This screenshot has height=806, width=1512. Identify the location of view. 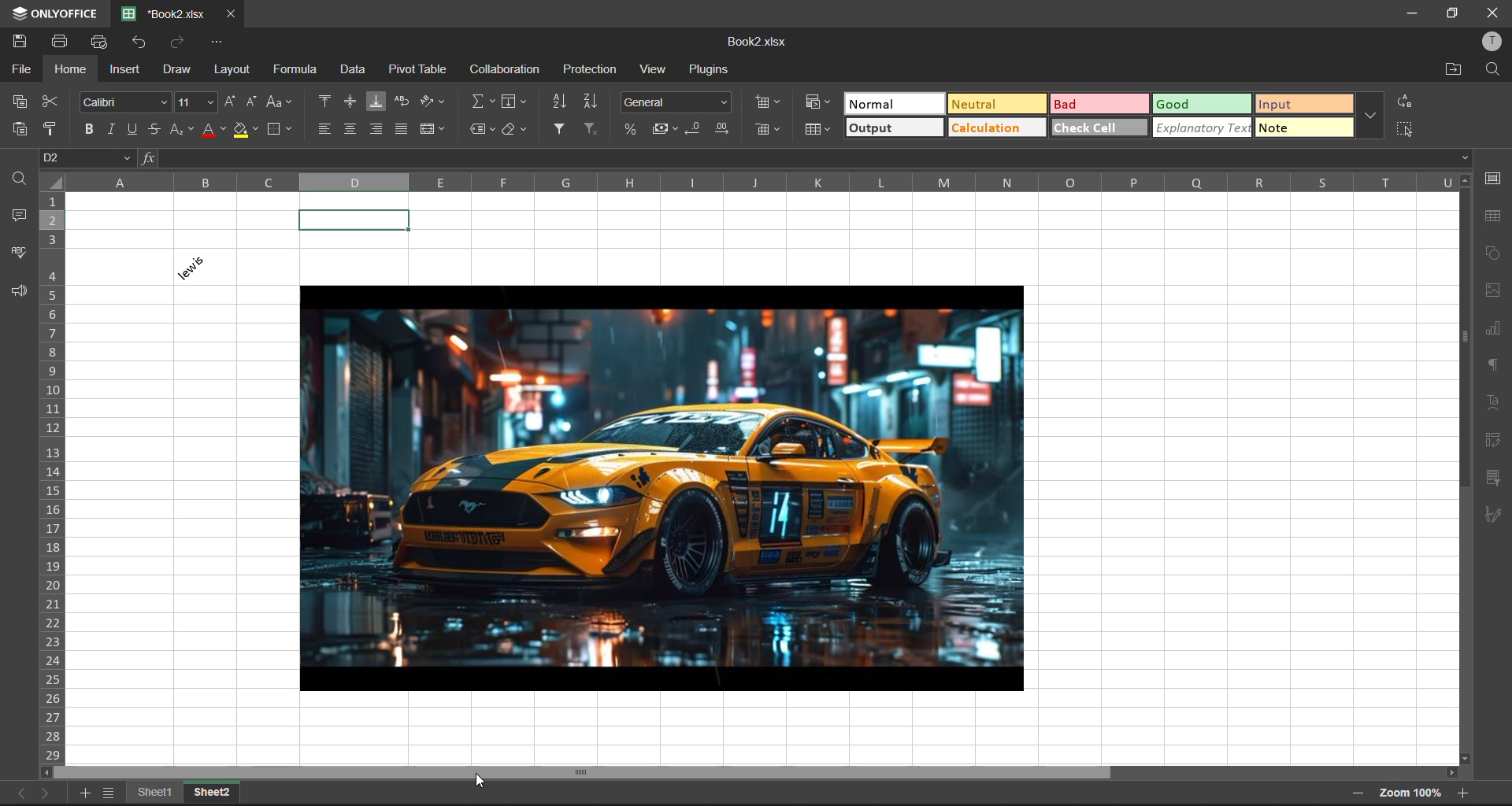
(656, 69).